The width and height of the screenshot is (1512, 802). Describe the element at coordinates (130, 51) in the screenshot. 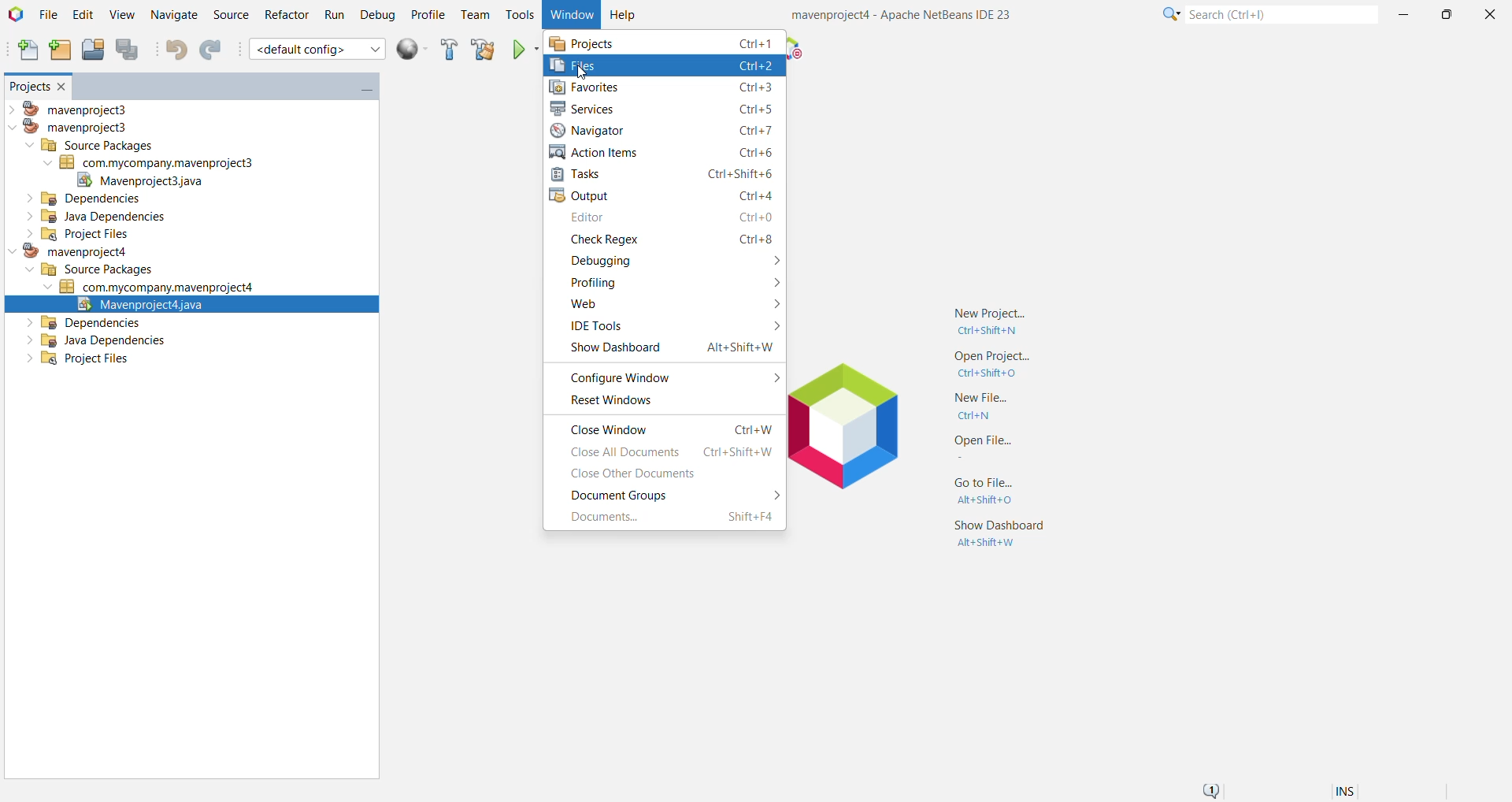

I see `Save All` at that location.